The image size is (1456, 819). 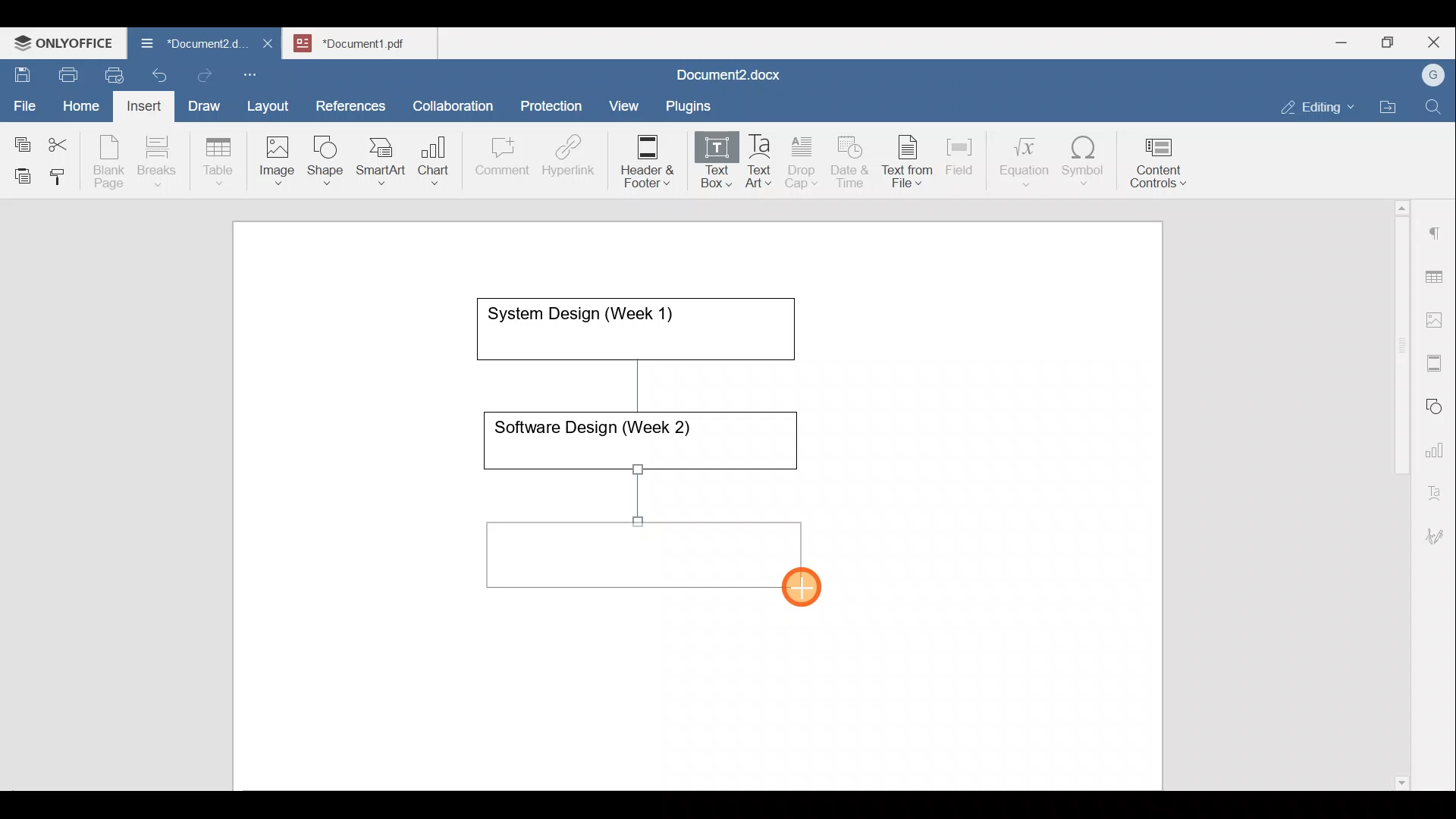 I want to click on ONLYOFFICE, so click(x=64, y=42).